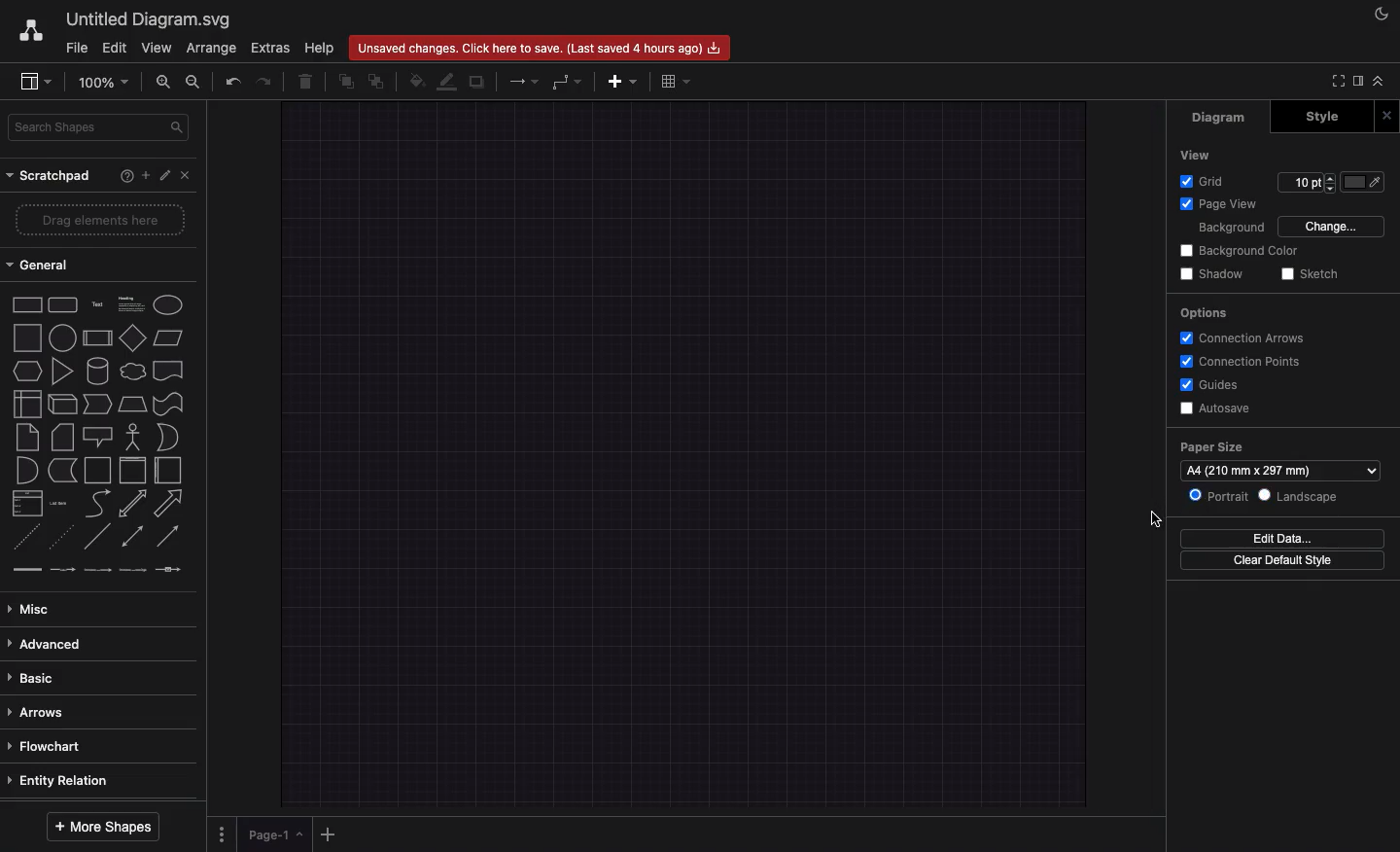 The height and width of the screenshot is (852, 1400). What do you see at coordinates (1246, 338) in the screenshot?
I see `Connection arrows` at bounding box center [1246, 338].